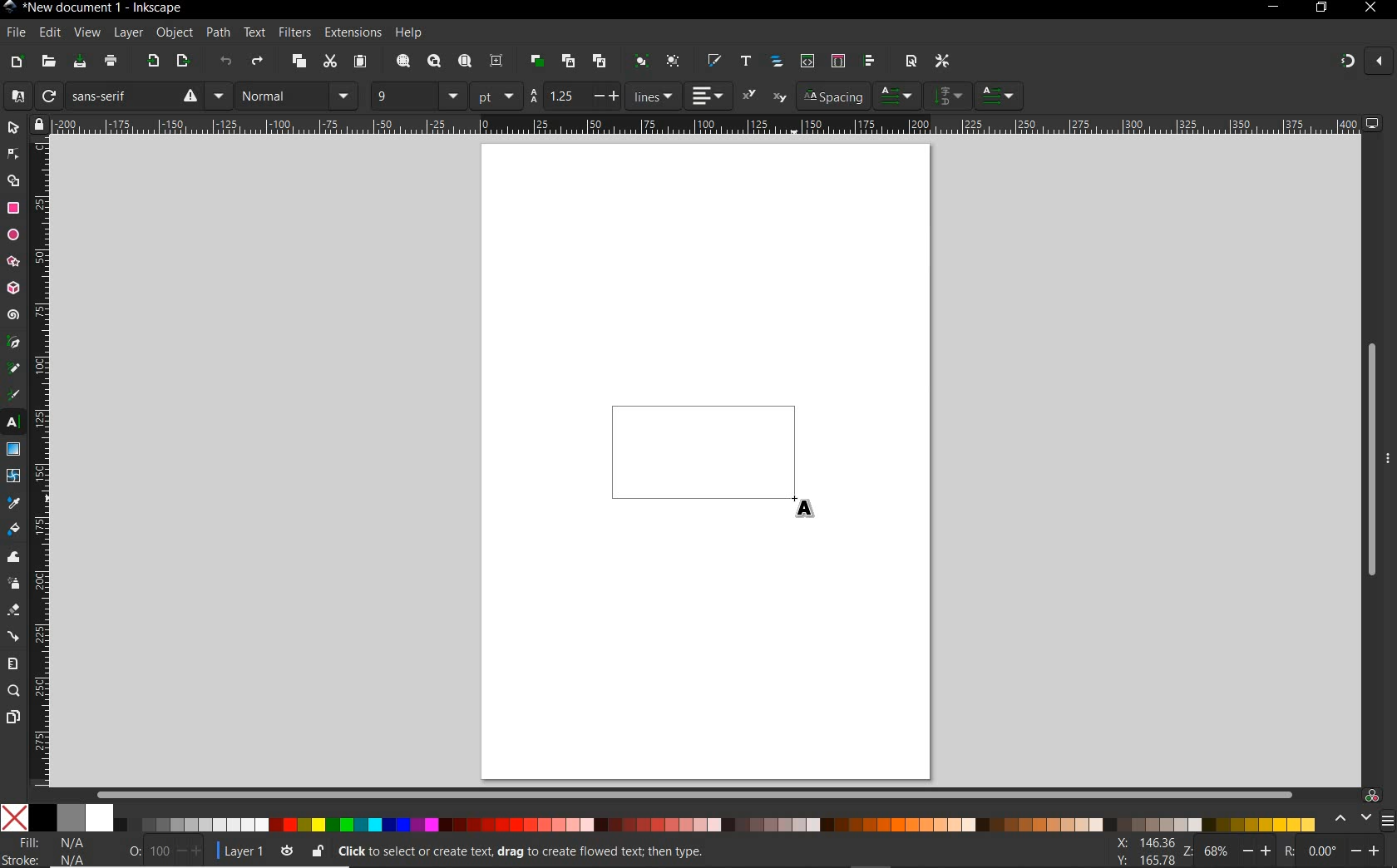 The width and height of the screenshot is (1397, 868). What do you see at coordinates (14, 558) in the screenshot?
I see `tweak tool` at bounding box center [14, 558].